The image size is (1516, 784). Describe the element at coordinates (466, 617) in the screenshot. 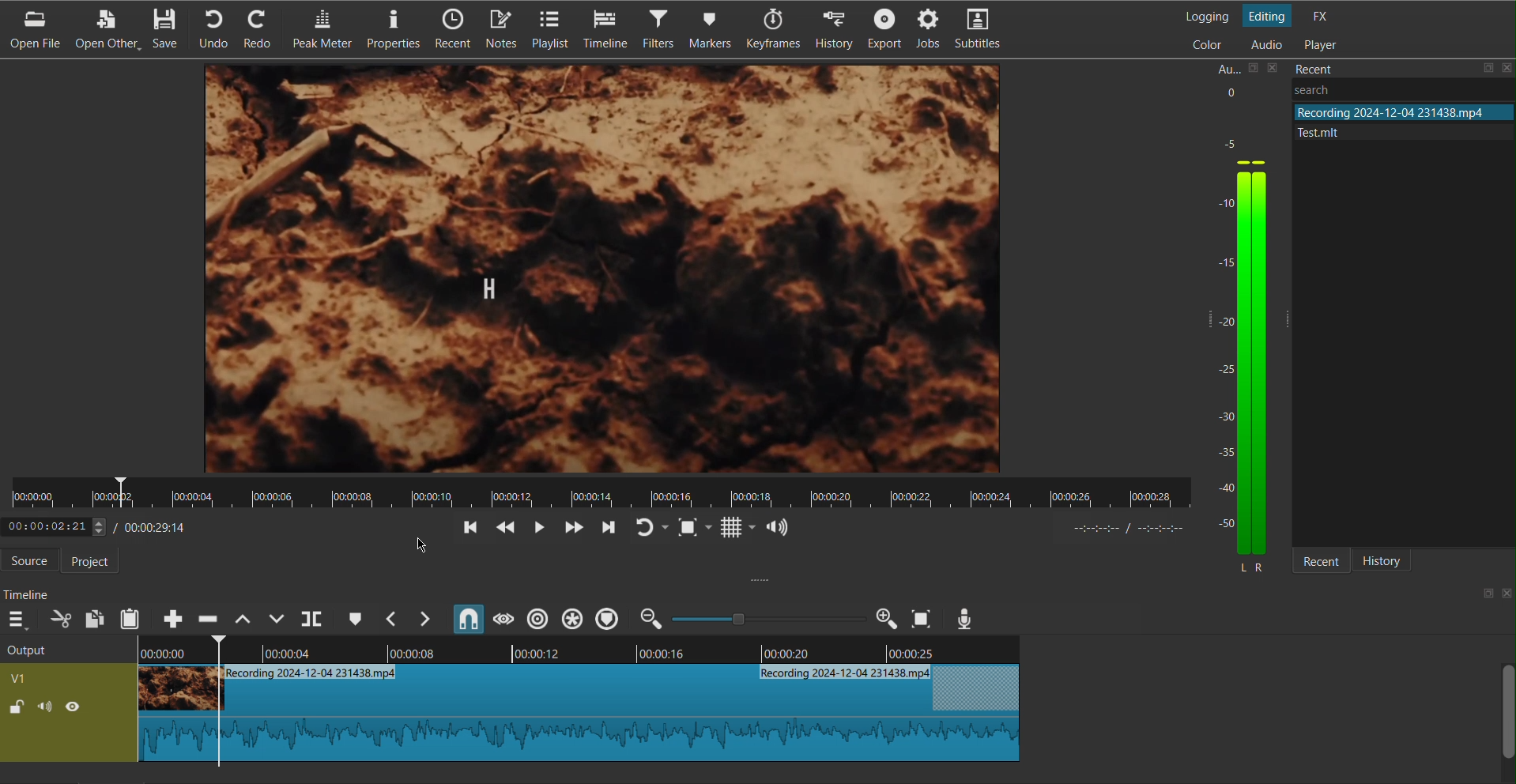

I see `Snap` at that location.